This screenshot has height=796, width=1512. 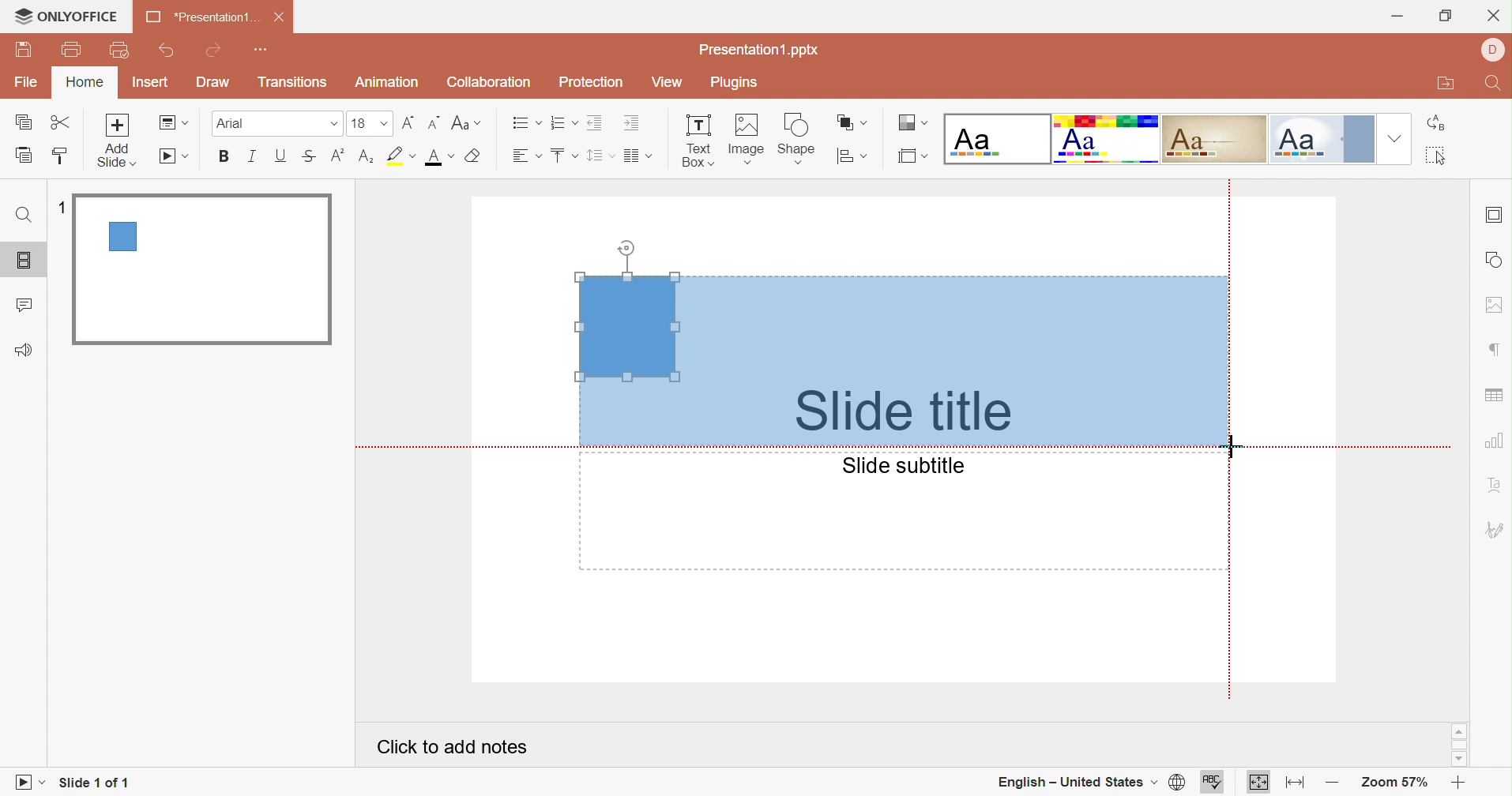 What do you see at coordinates (910, 123) in the screenshot?
I see `Change color theme` at bounding box center [910, 123].